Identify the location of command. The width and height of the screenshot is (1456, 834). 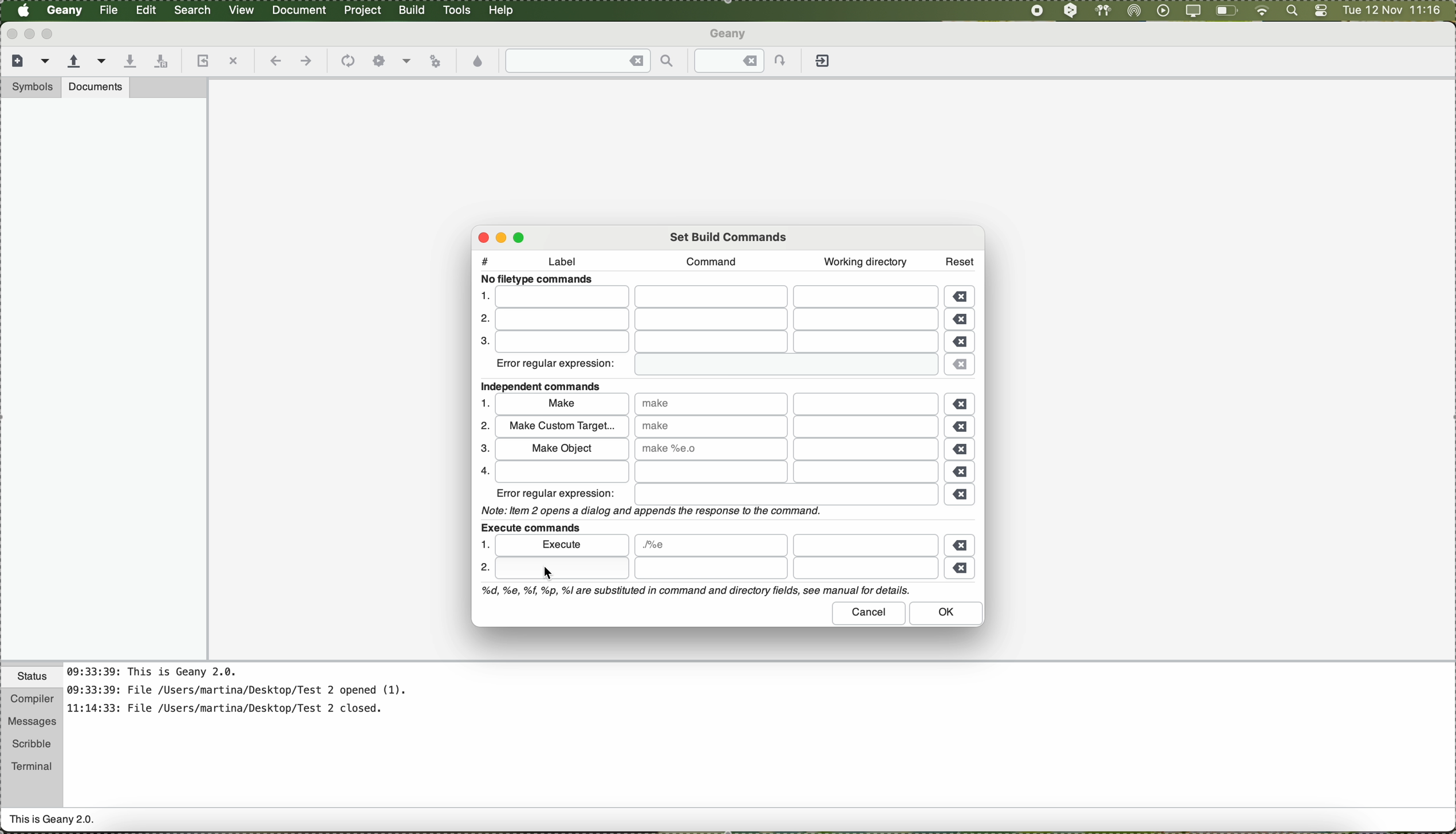
(707, 261).